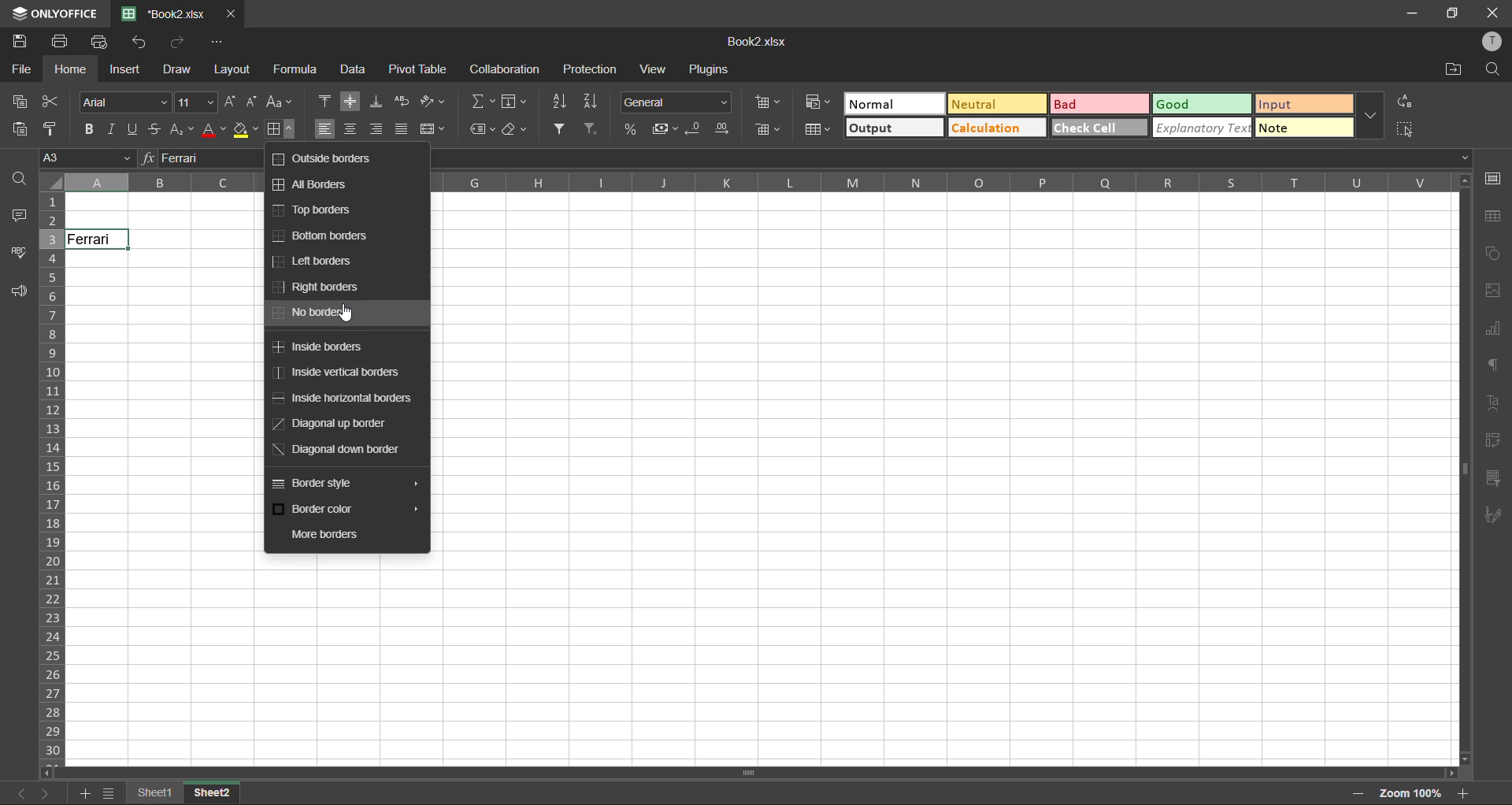  I want to click on vertical scrollbar, so click(1462, 469).